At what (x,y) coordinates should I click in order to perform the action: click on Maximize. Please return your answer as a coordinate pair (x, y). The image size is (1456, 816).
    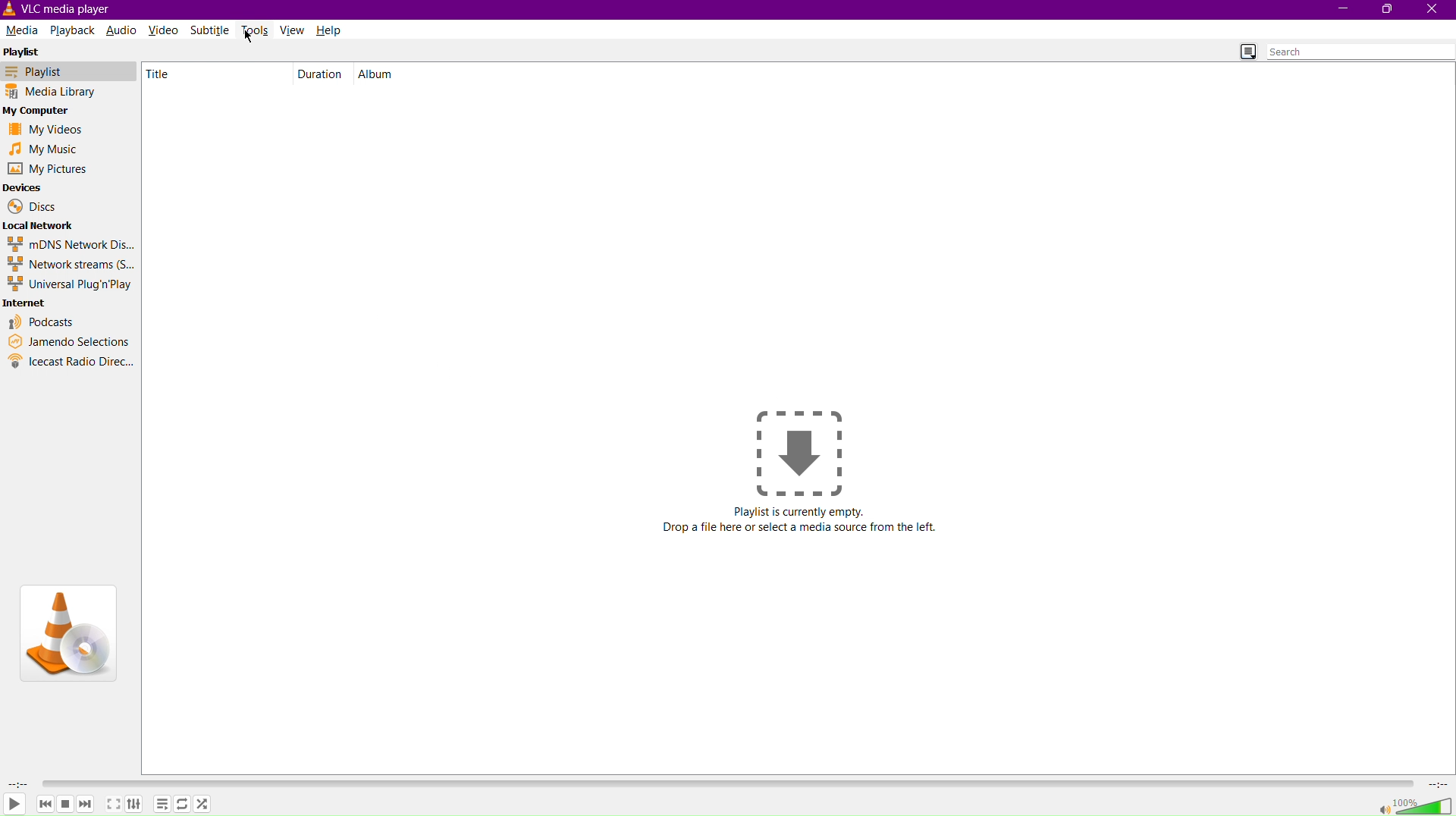
    Looking at the image, I should click on (1387, 9).